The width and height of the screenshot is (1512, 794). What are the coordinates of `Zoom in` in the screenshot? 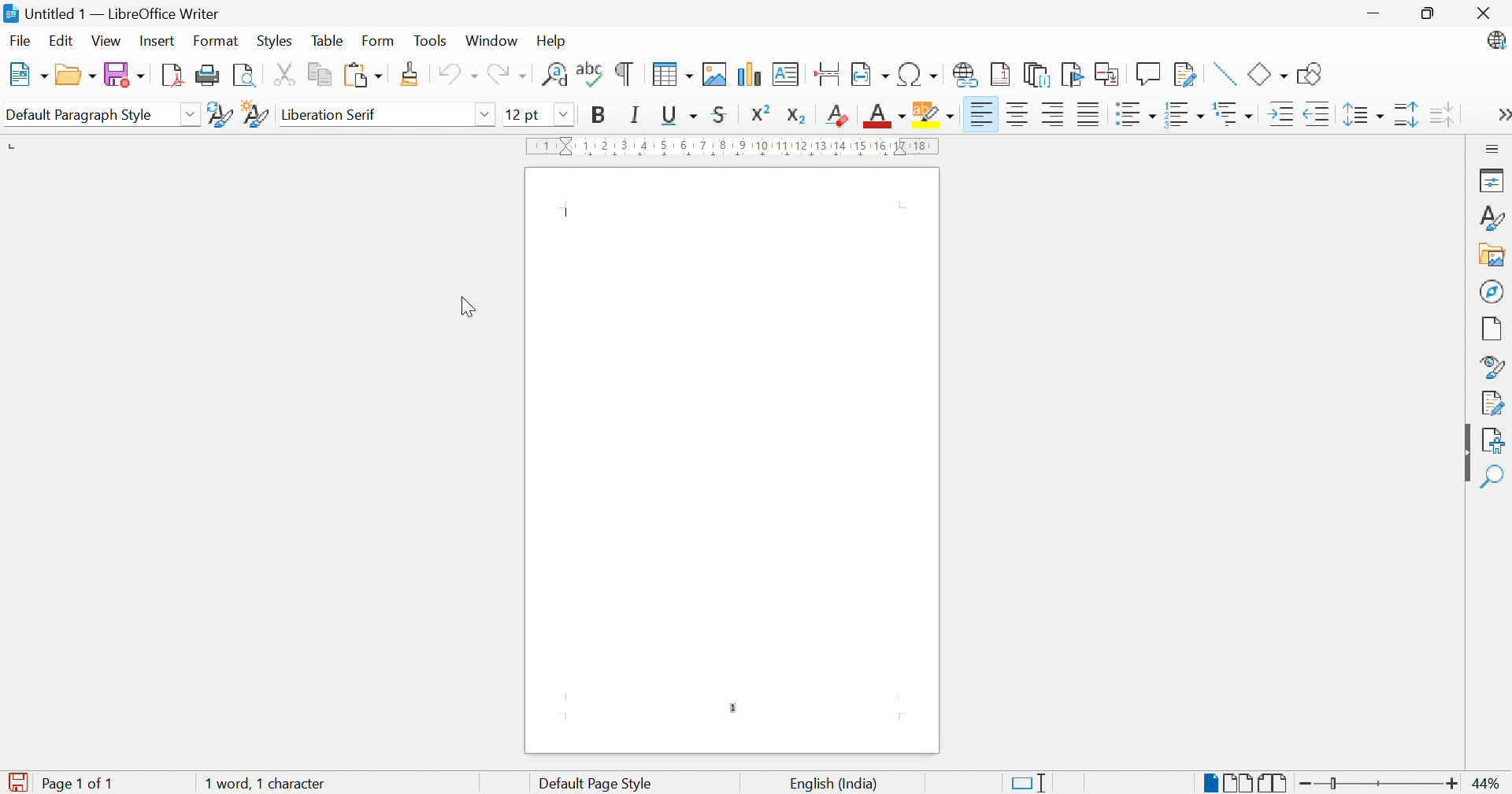 It's located at (1451, 785).